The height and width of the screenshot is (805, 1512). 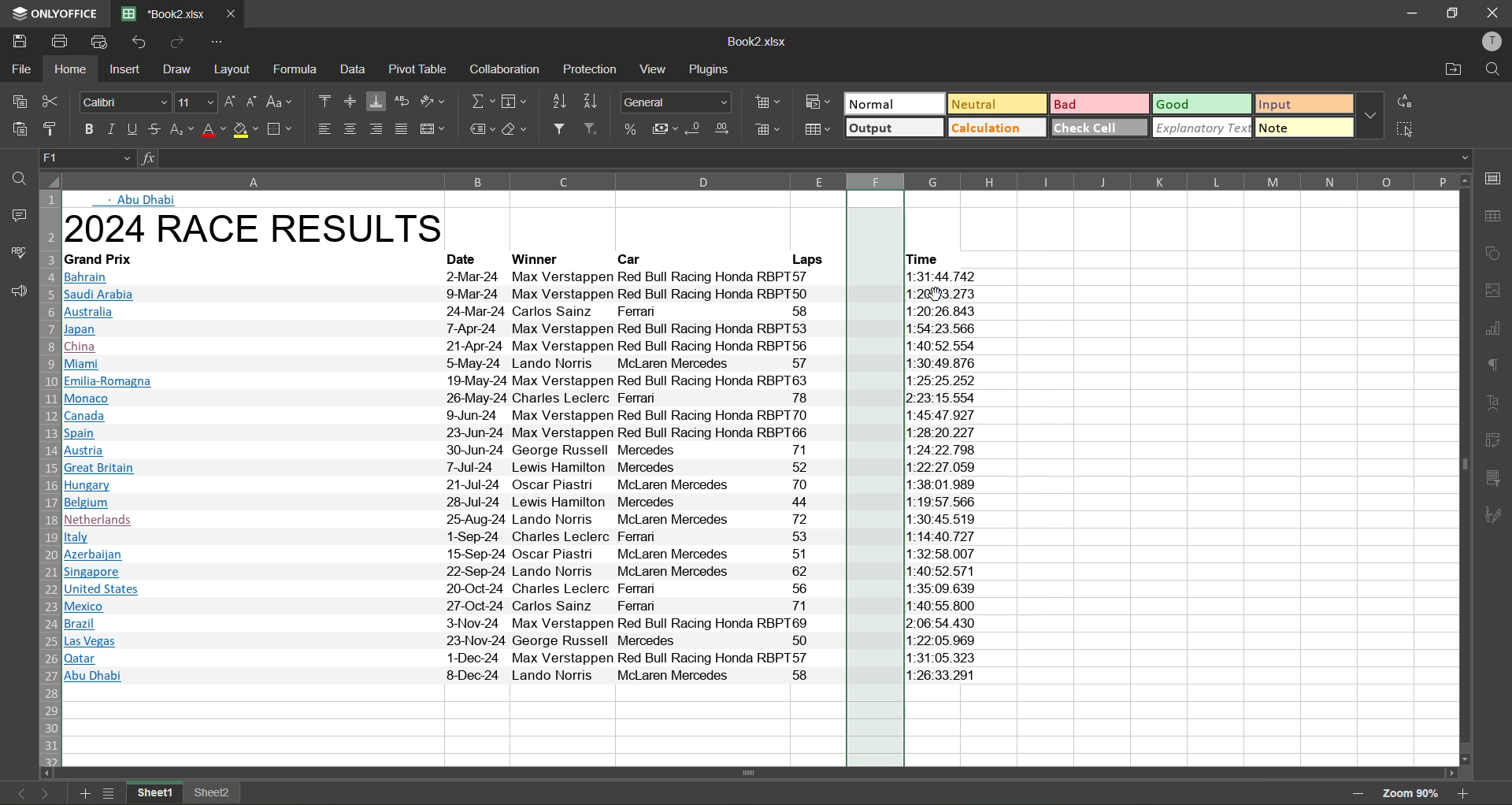 What do you see at coordinates (14, 290) in the screenshot?
I see `feedback` at bounding box center [14, 290].